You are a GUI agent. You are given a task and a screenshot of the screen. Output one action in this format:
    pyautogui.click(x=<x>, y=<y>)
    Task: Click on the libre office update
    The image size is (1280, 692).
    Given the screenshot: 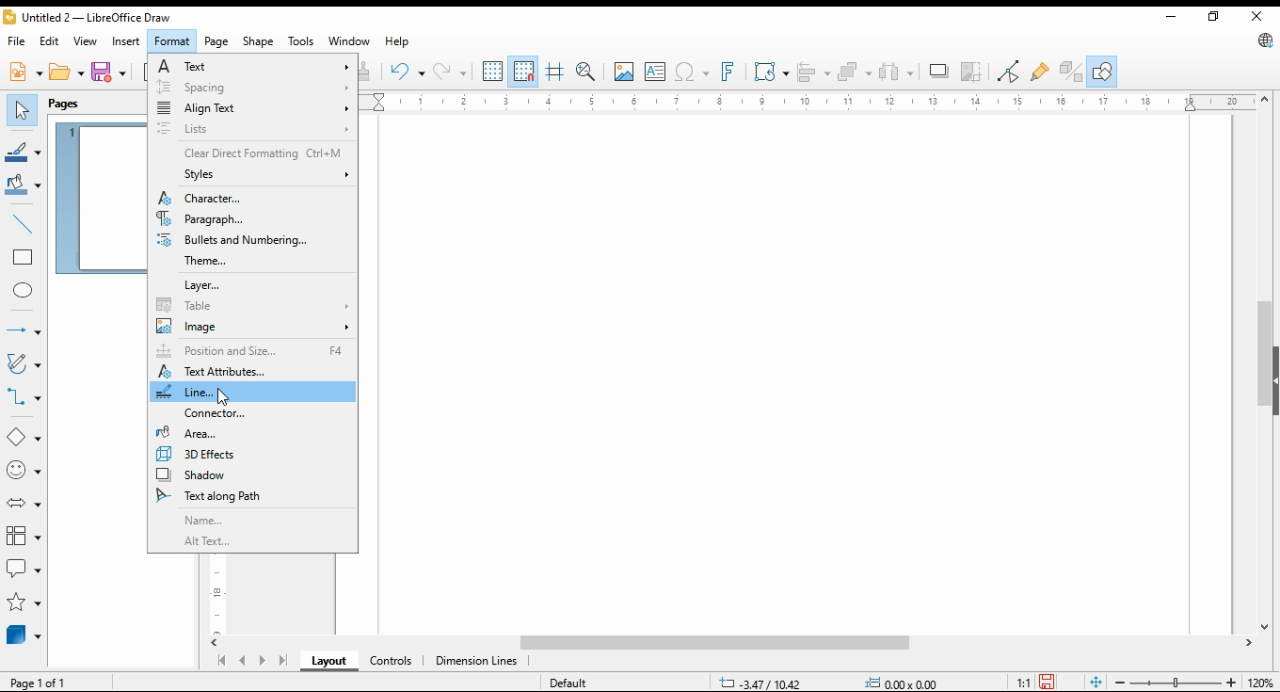 What is the action you would take?
    pyautogui.click(x=1264, y=40)
    